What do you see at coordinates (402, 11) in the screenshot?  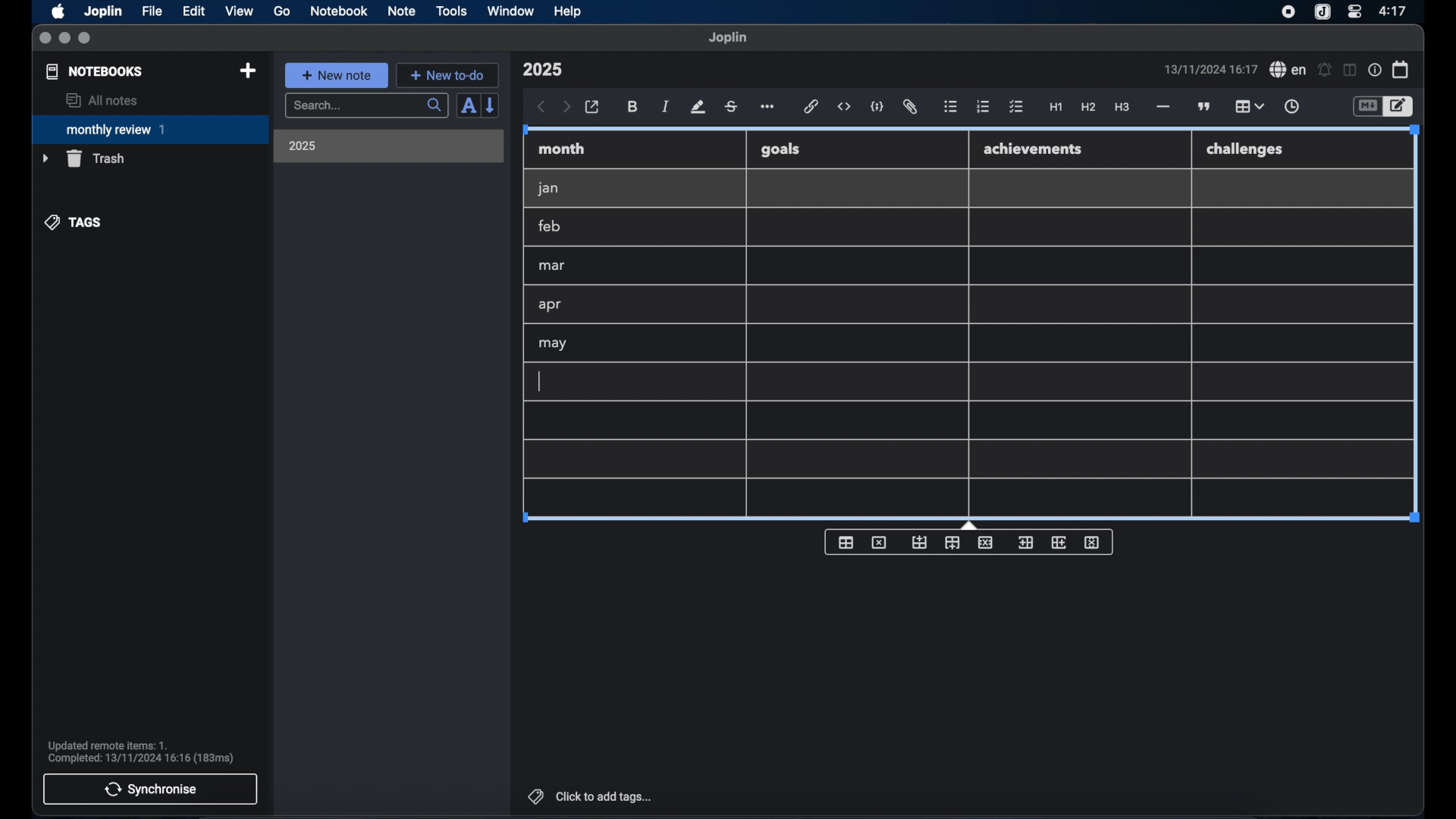 I see `note` at bounding box center [402, 11].